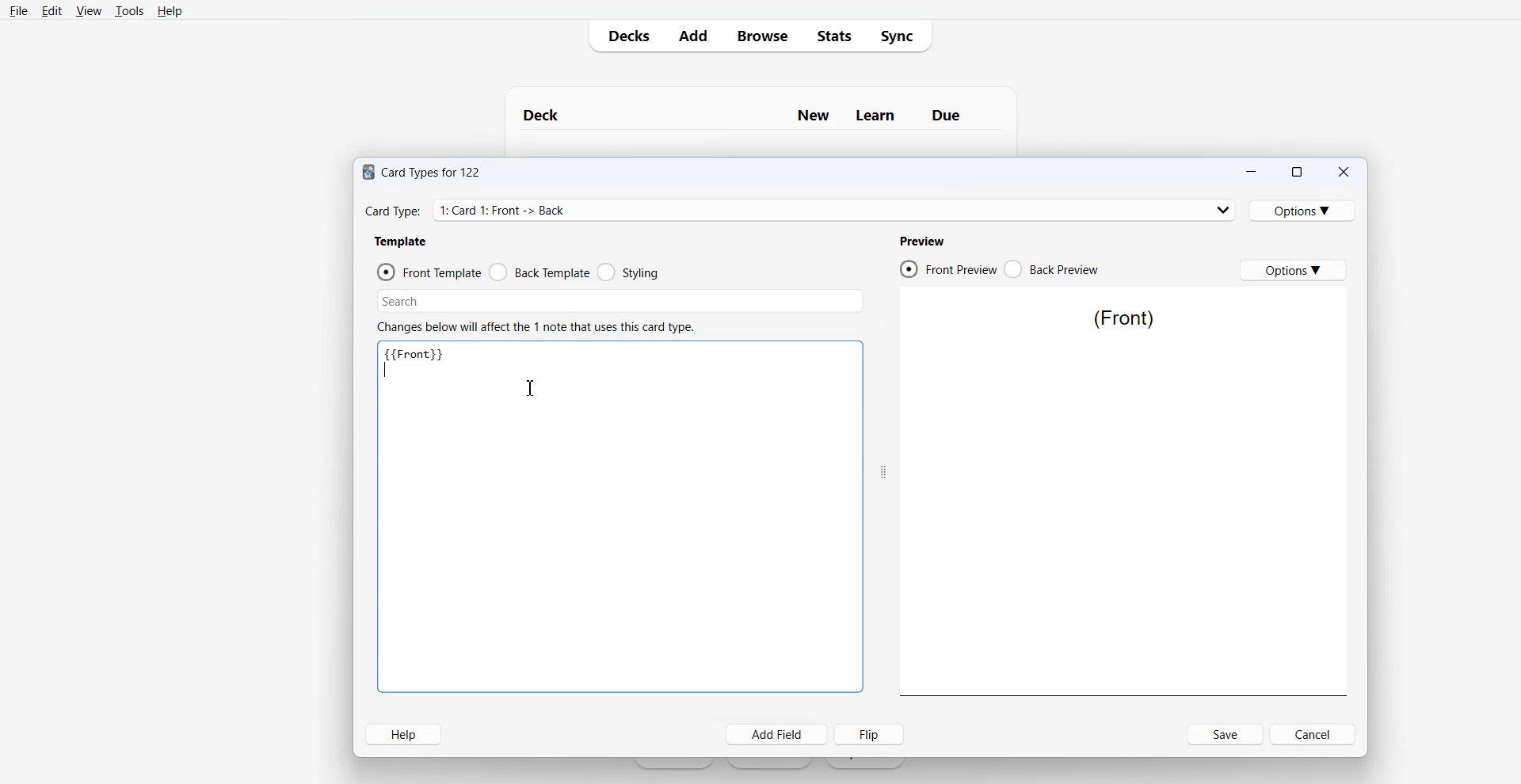  Describe the element at coordinates (1294, 270) in the screenshot. I see `Options` at that location.